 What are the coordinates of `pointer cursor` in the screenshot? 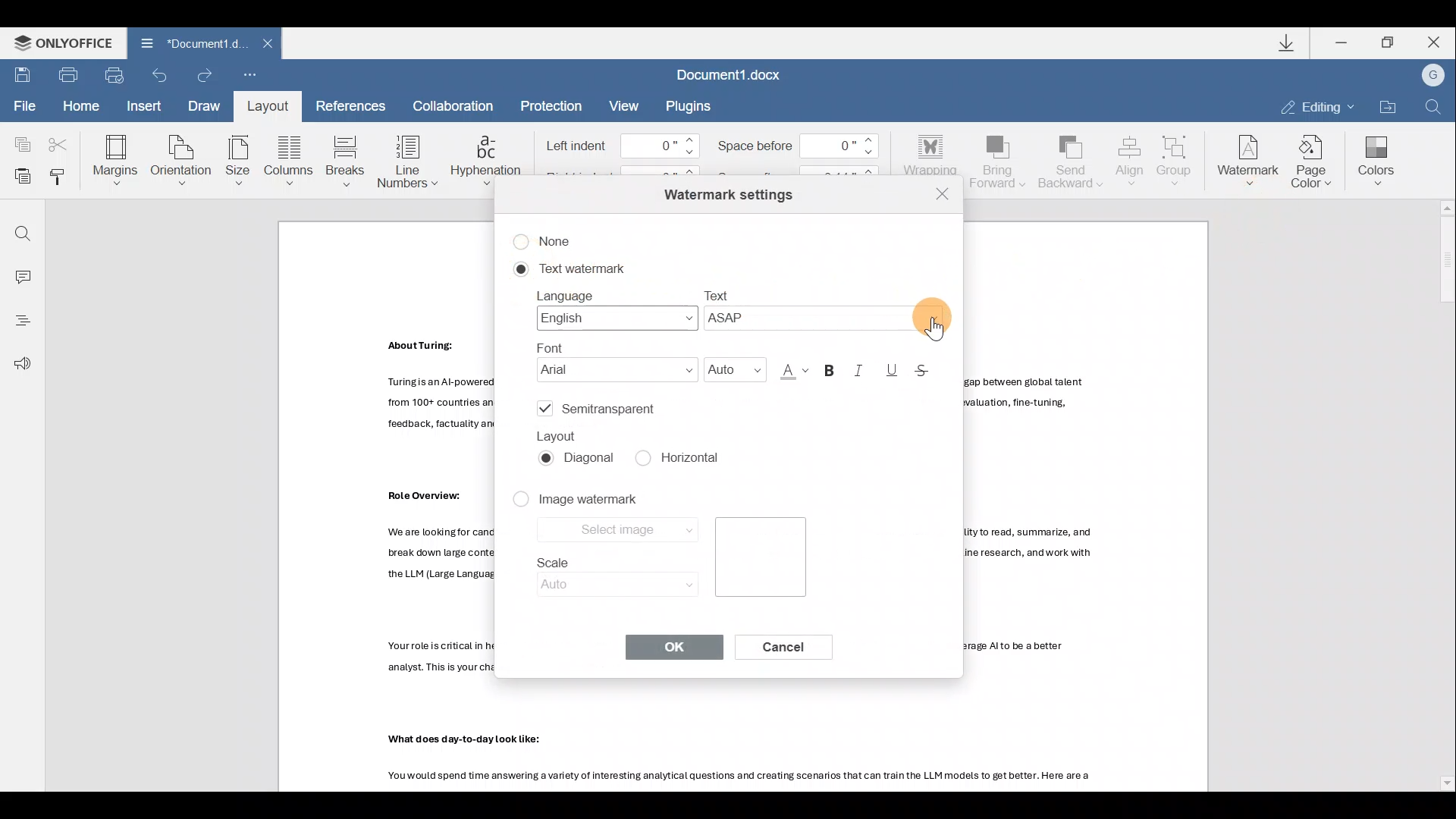 It's located at (932, 334).